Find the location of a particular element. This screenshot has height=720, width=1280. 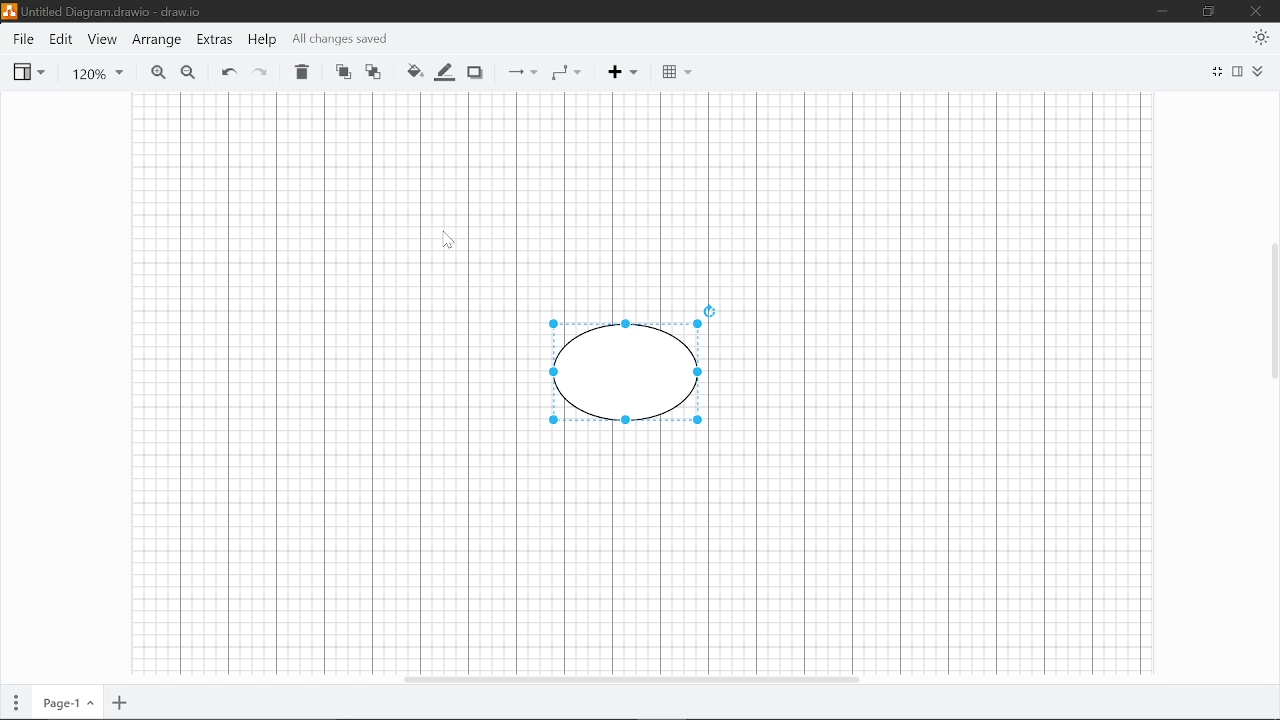

Arrange is located at coordinates (155, 40).